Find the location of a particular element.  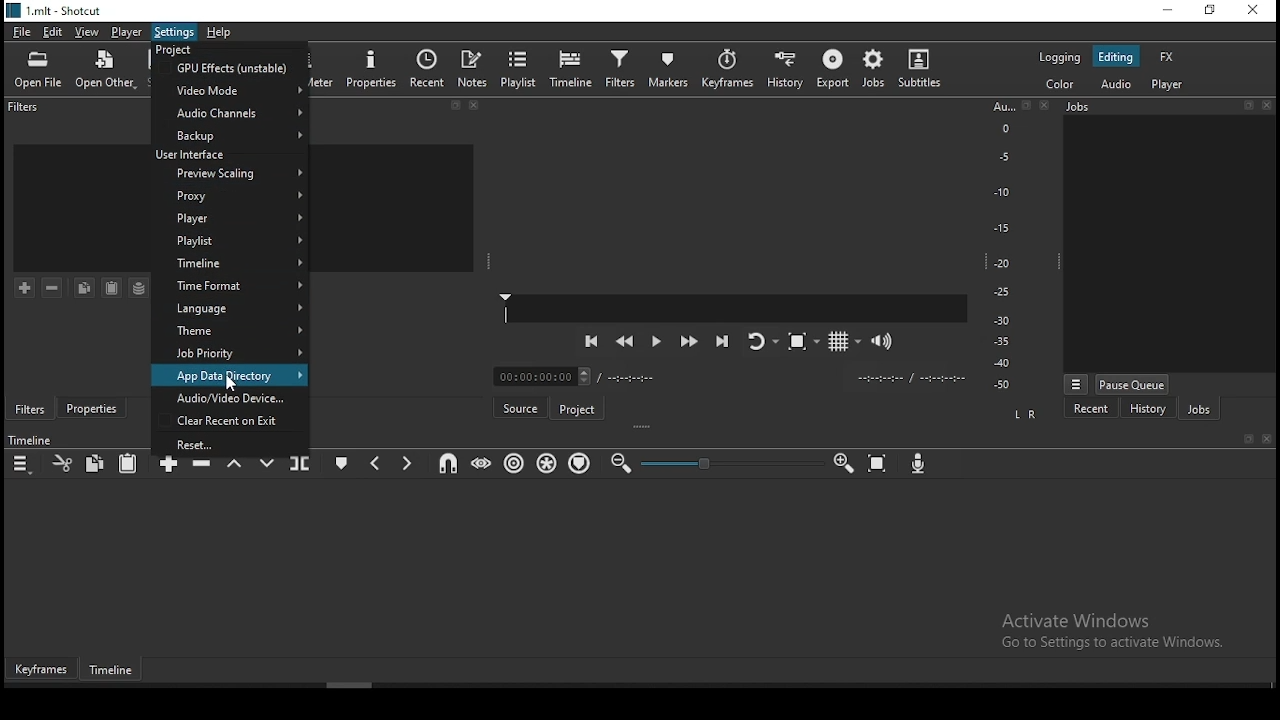

close is located at coordinates (478, 108).